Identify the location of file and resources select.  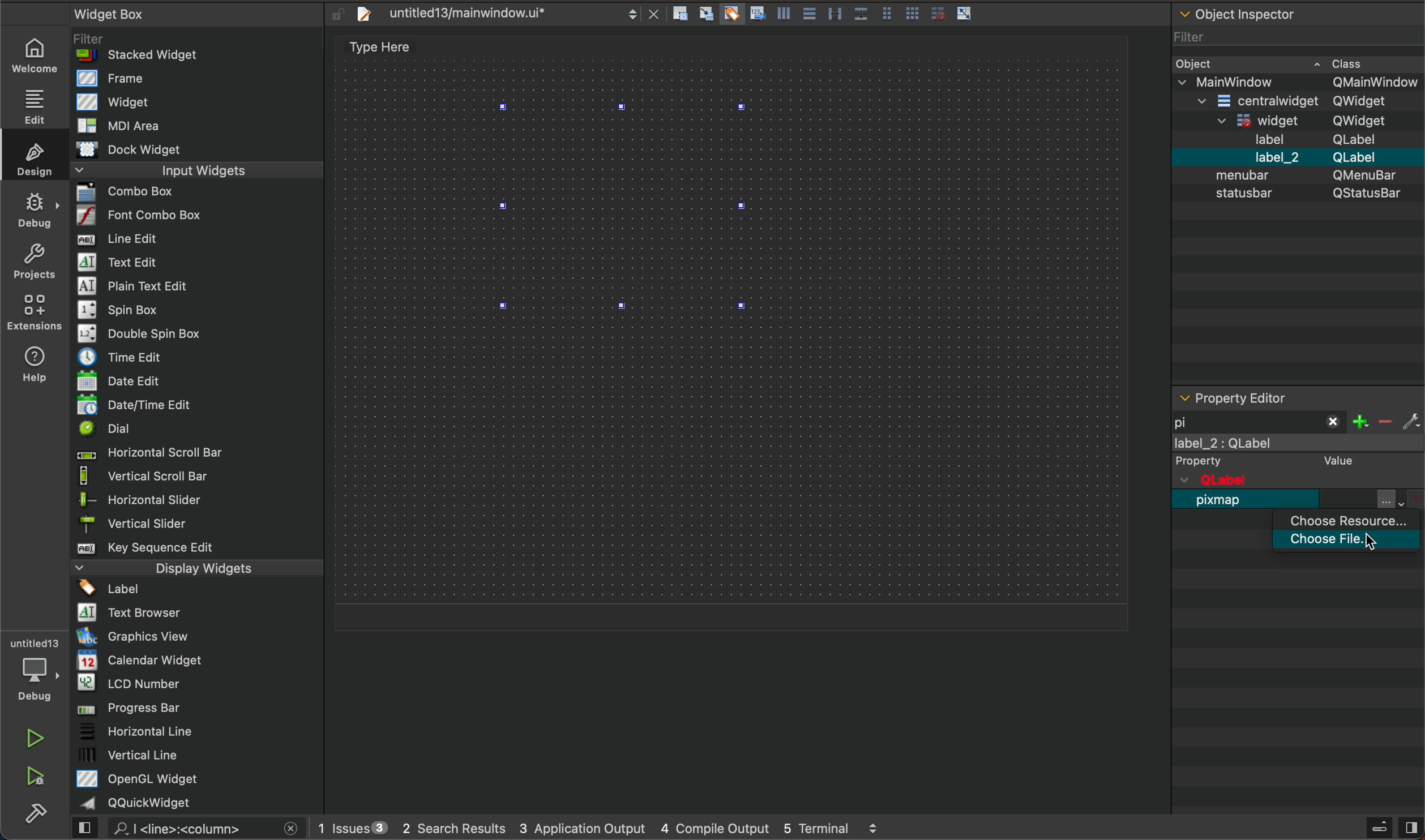
(1402, 499).